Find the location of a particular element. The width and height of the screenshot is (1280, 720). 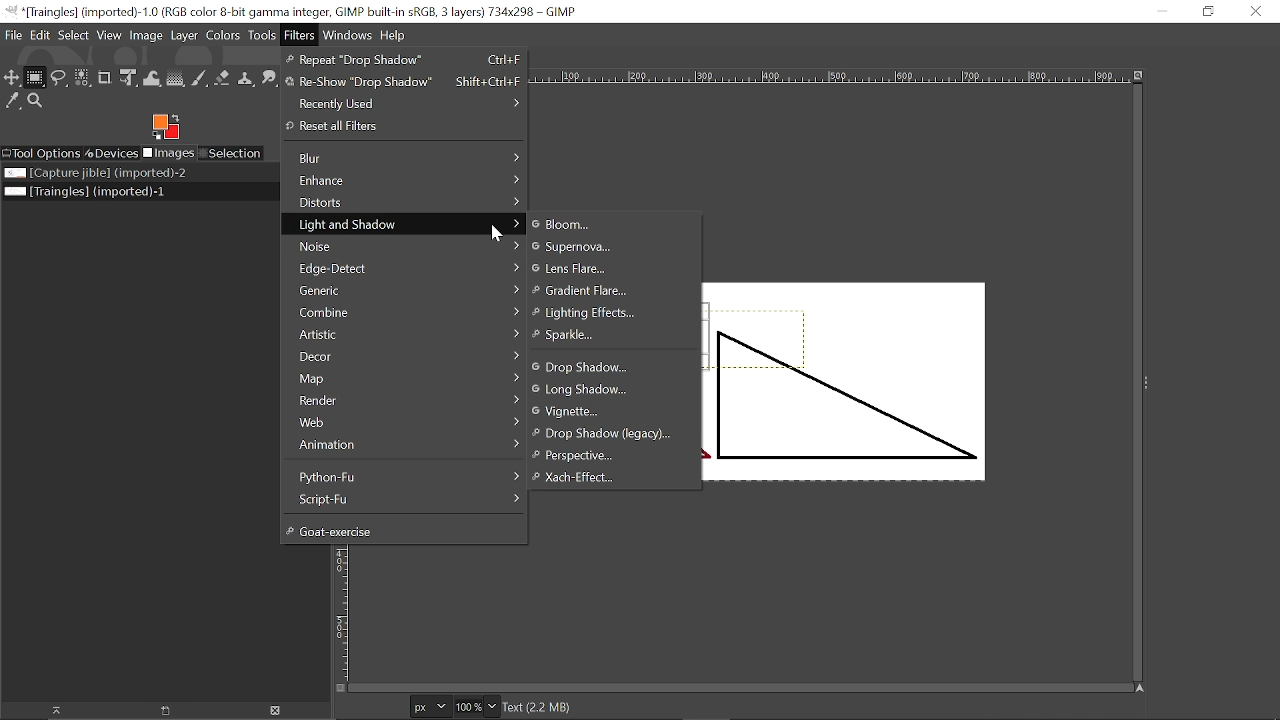

vertical label is located at coordinates (343, 627).